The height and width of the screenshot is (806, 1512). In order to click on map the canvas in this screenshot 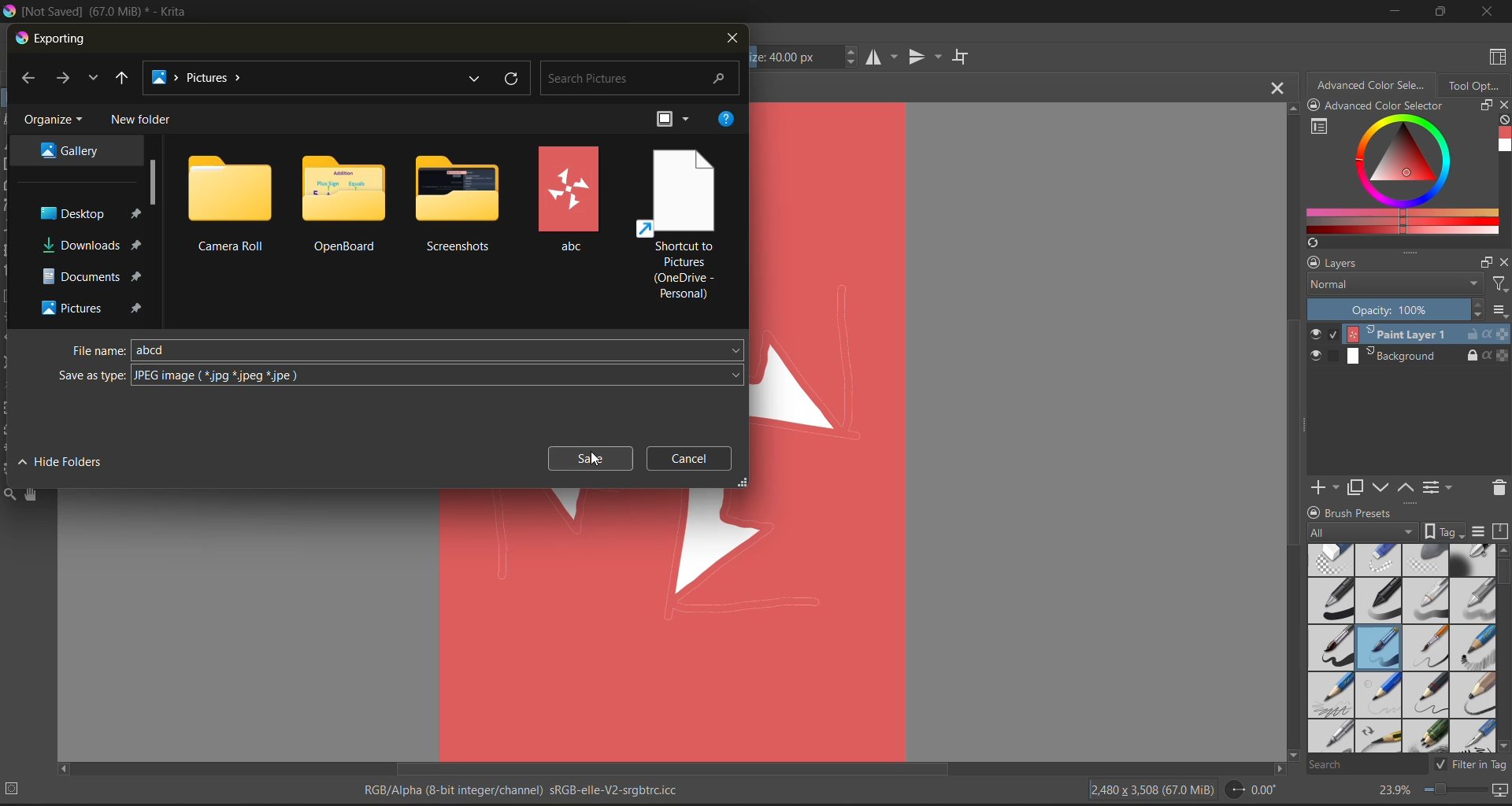, I will do `click(1499, 792)`.